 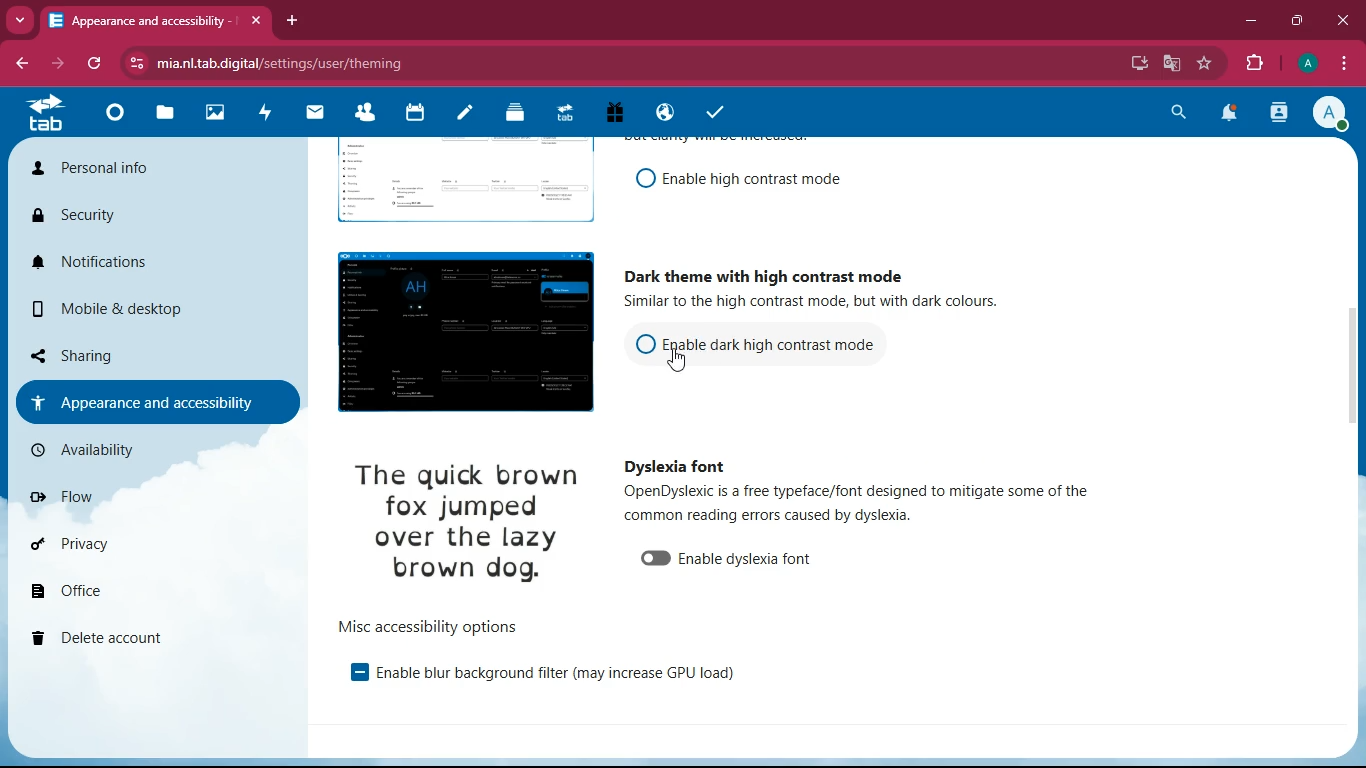 I want to click on view site information, so click(x=135, y=63).